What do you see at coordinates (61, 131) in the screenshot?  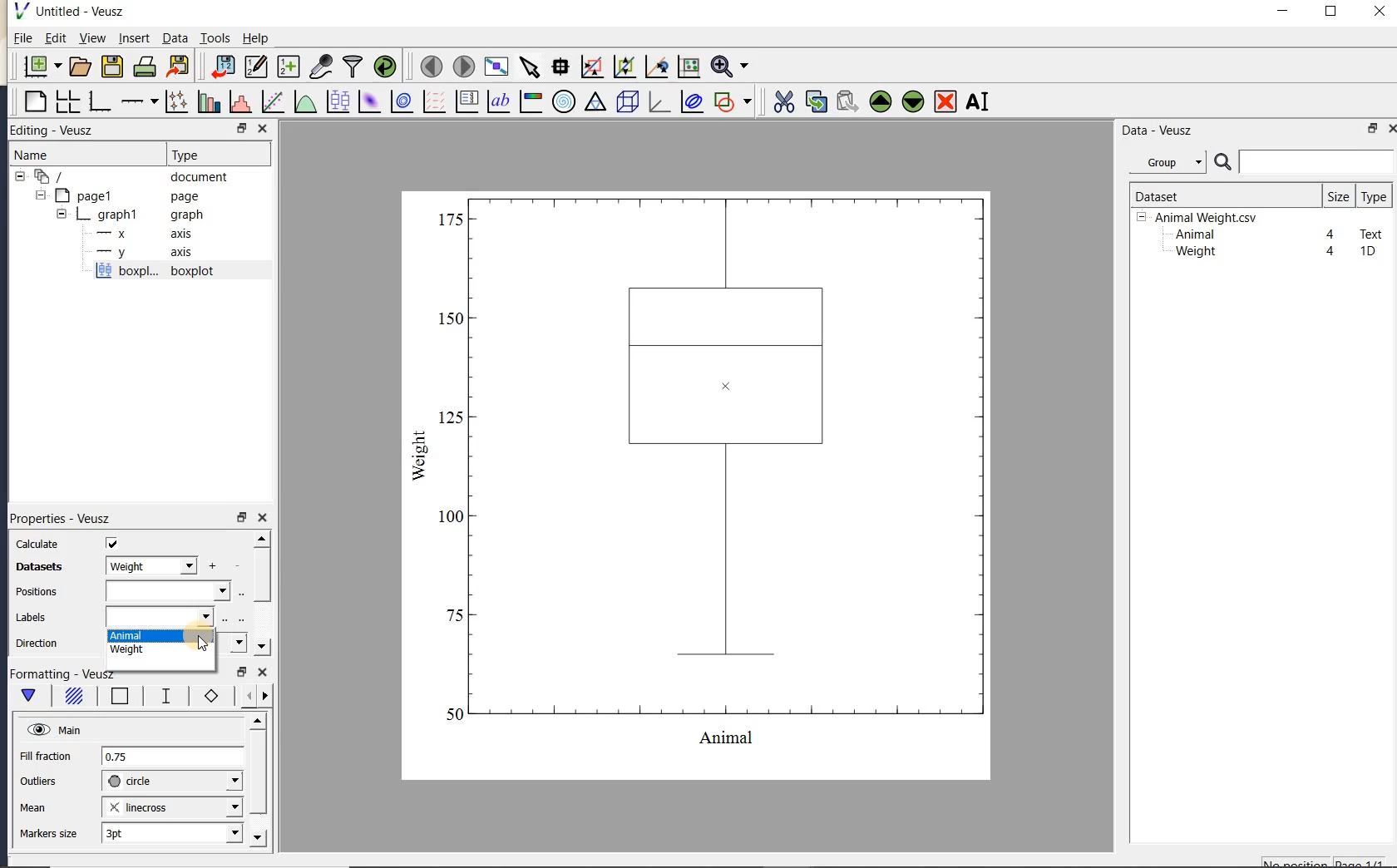 I see `Editing - Veusz` at bounding box center [61, 131].